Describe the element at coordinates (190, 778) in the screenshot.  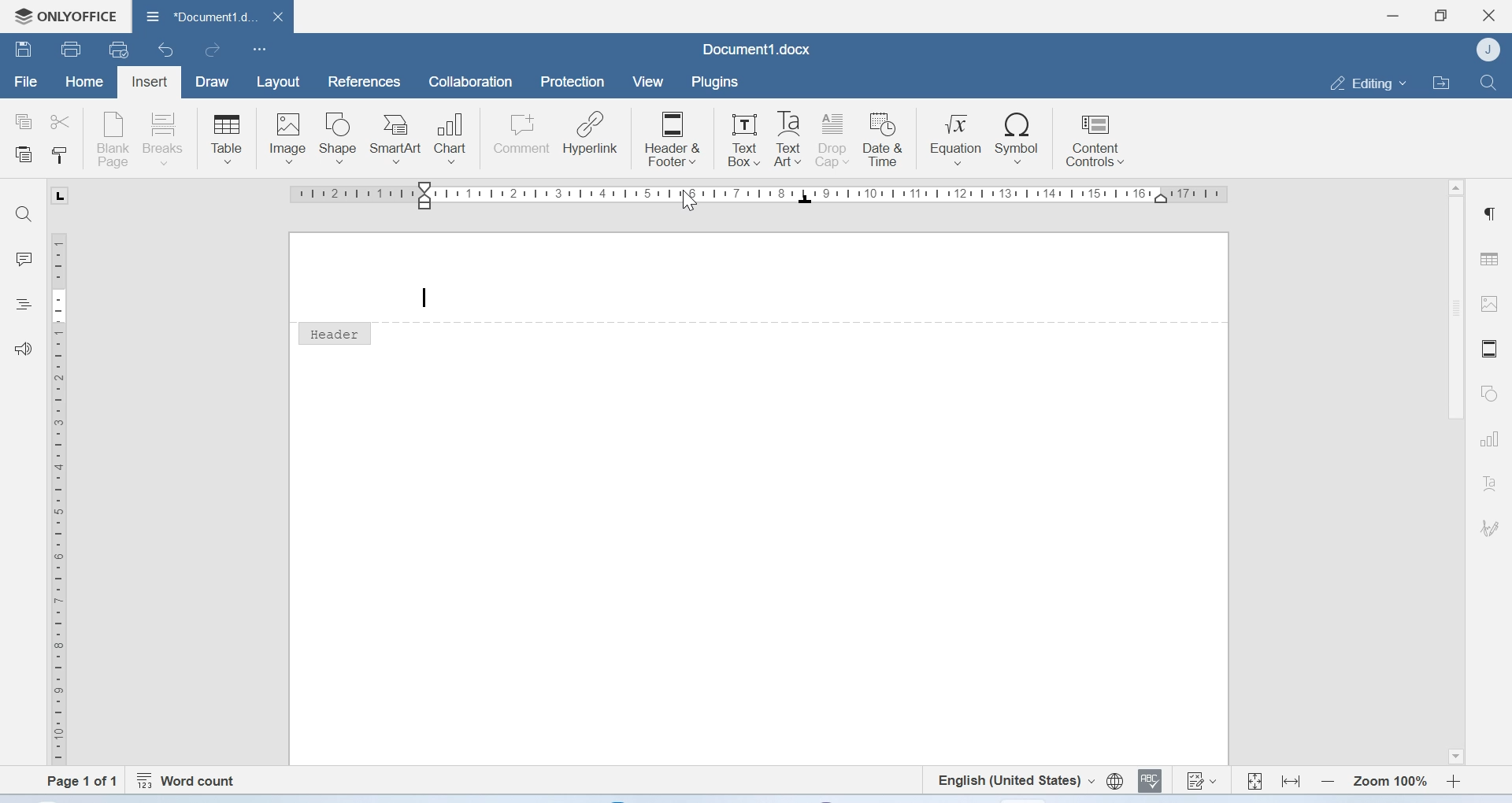
I see `Word count` at that location.